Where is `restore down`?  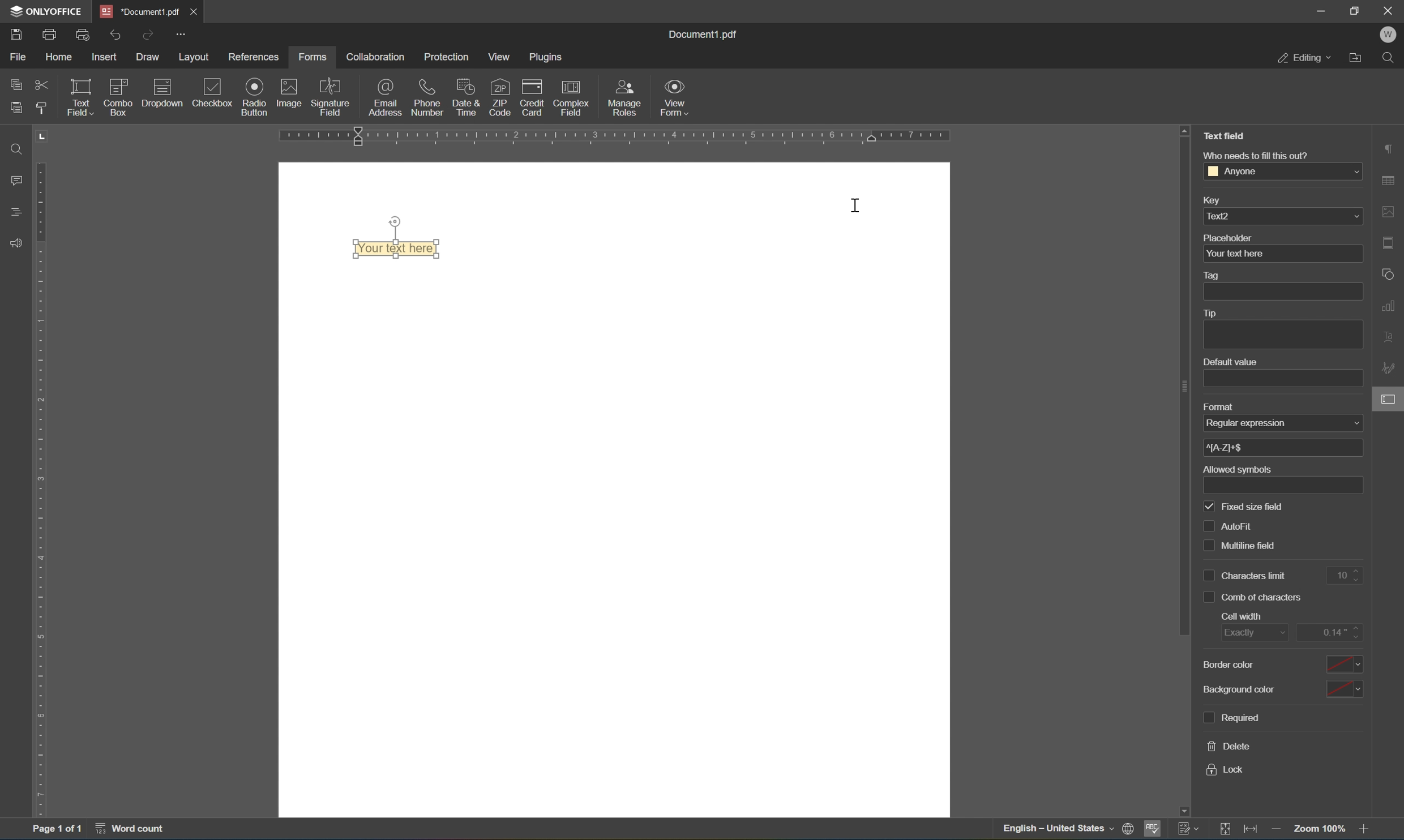
restore down is located at coordinates (1356, 10).